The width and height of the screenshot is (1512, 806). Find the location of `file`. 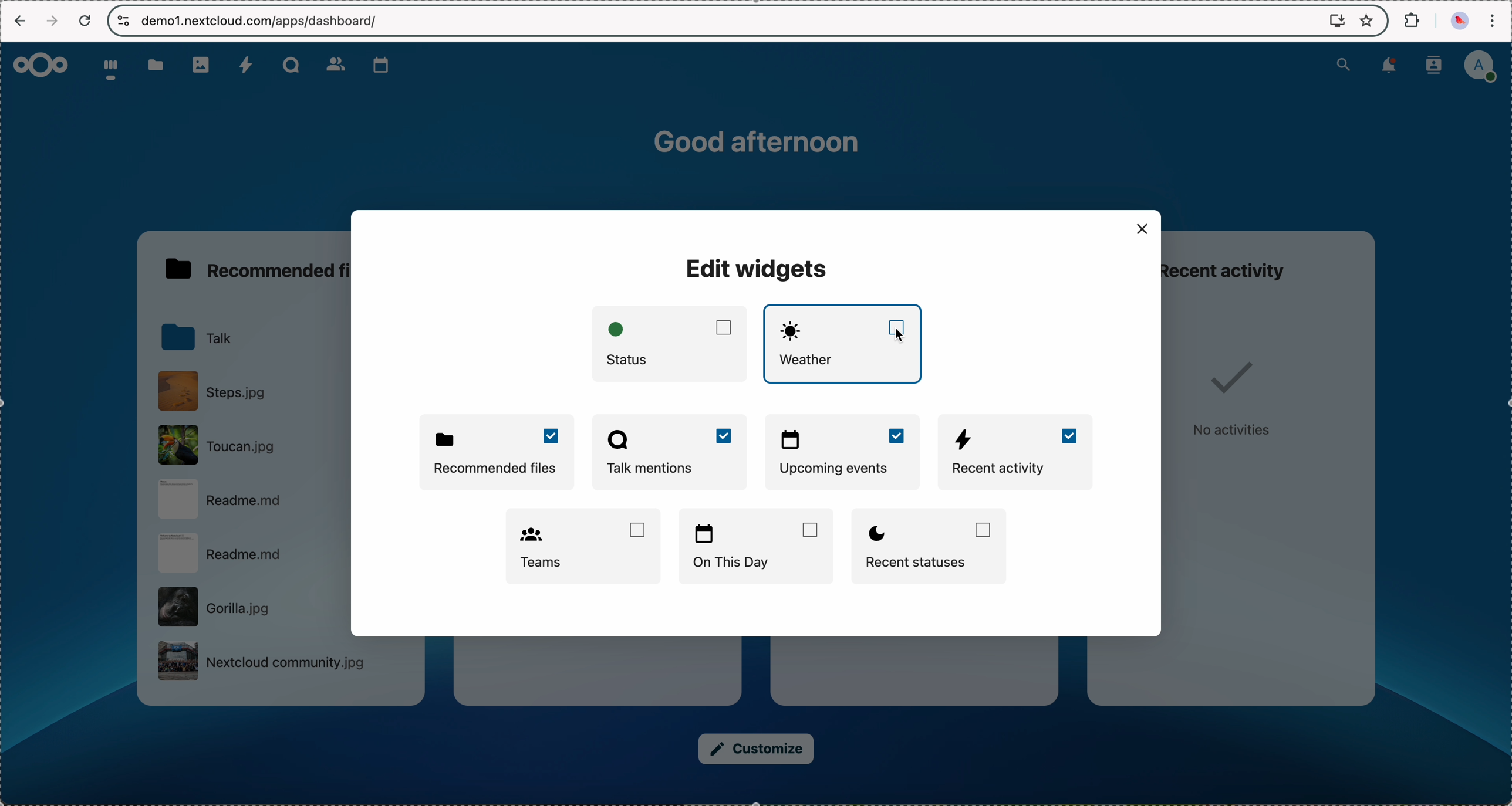

file is located at coordinates (252, 556).